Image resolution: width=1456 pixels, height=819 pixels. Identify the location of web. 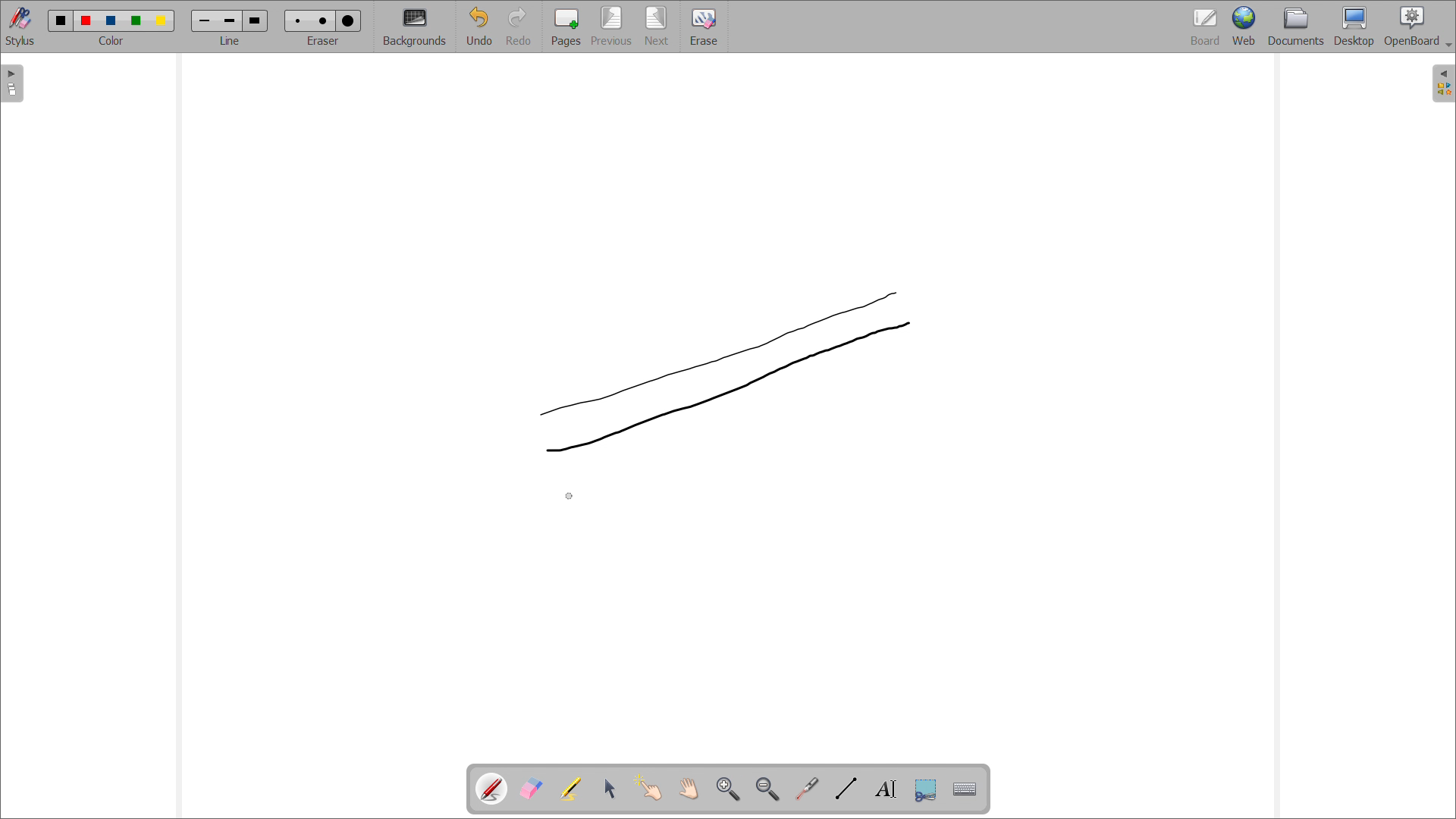
(1244, 27).